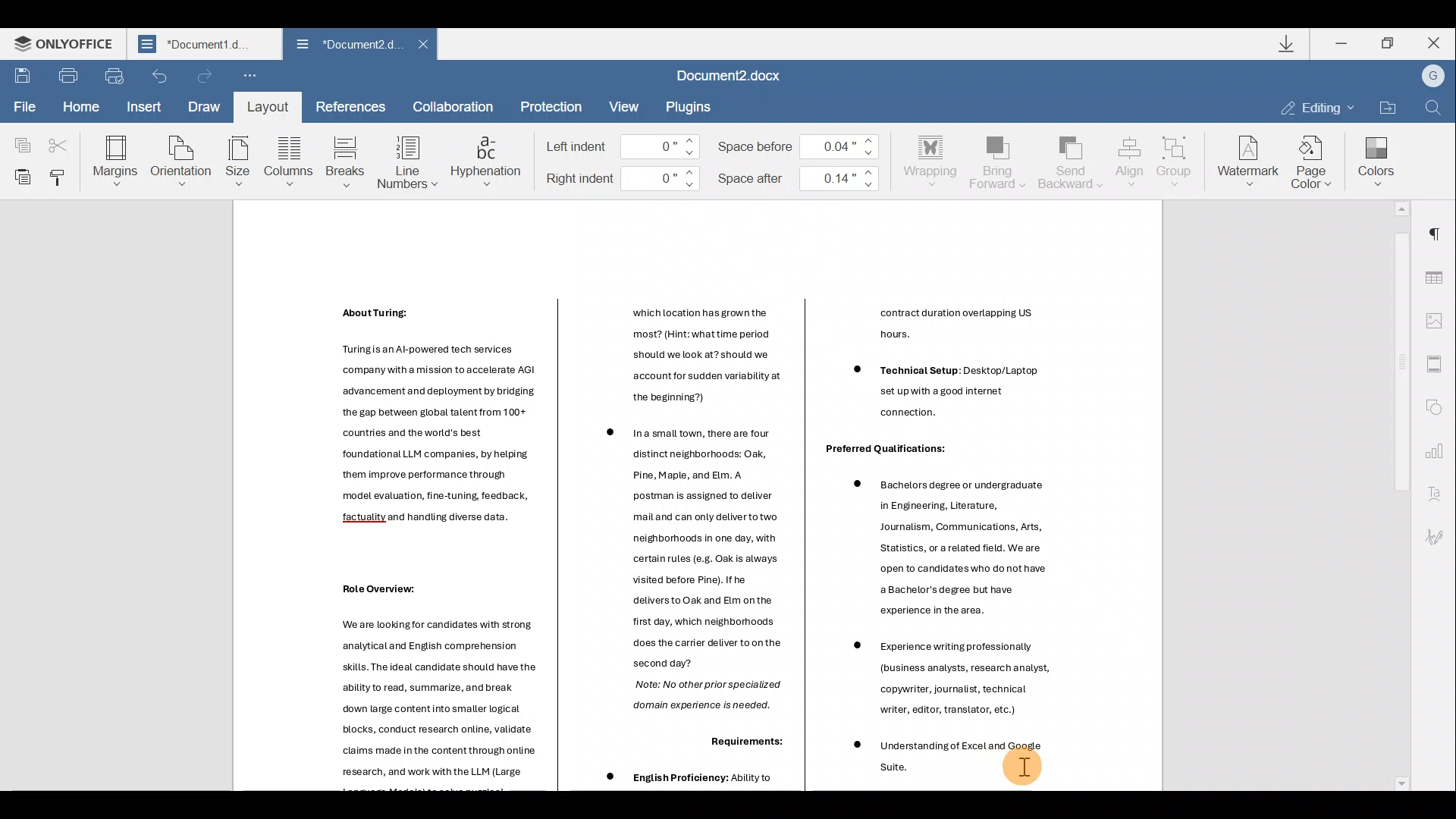  I want to click on Paragraph settings, so click(1441, 228).